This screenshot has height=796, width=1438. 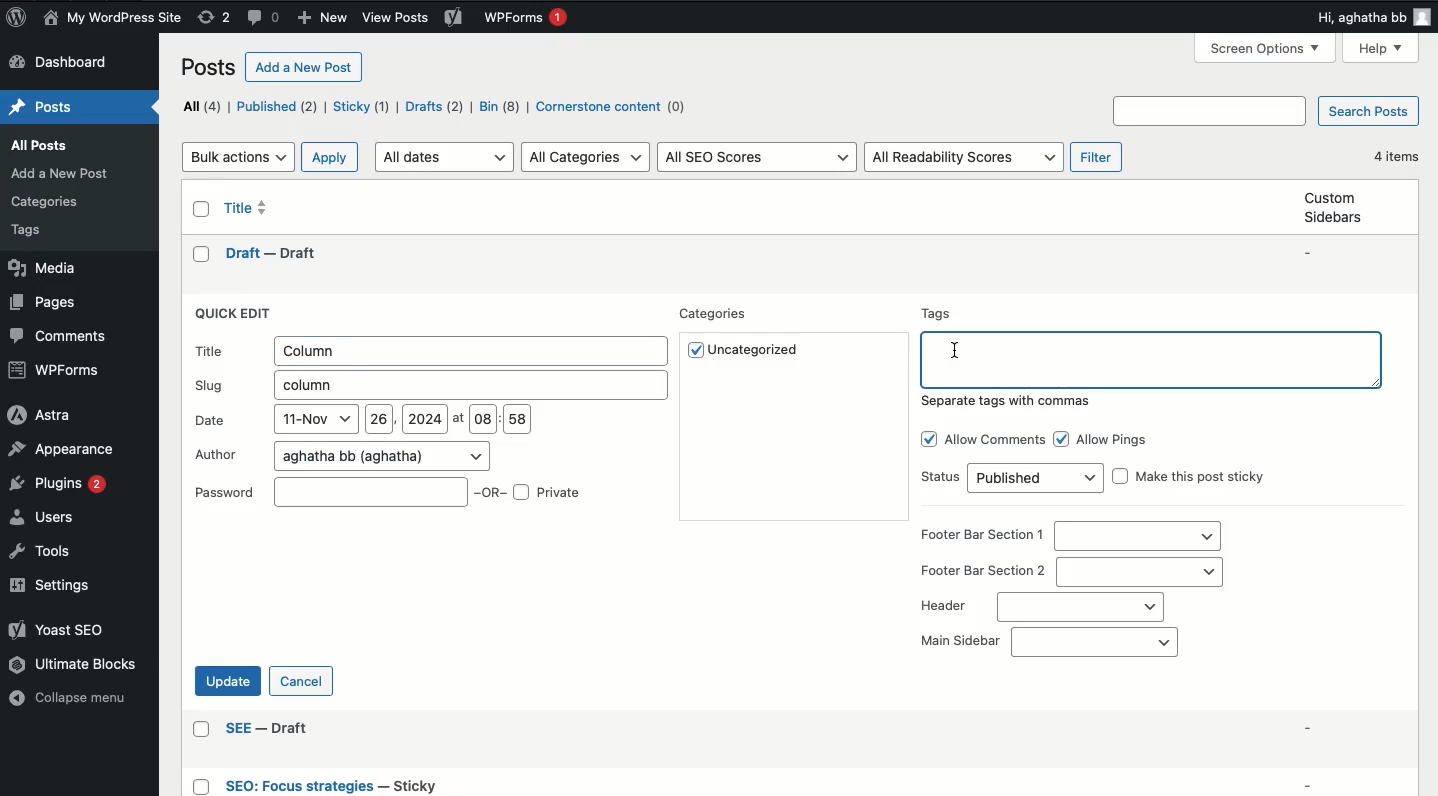 What do you see at coordinates (411, 785) in the screenshot?
I see `` at bounding box center [411, 785].